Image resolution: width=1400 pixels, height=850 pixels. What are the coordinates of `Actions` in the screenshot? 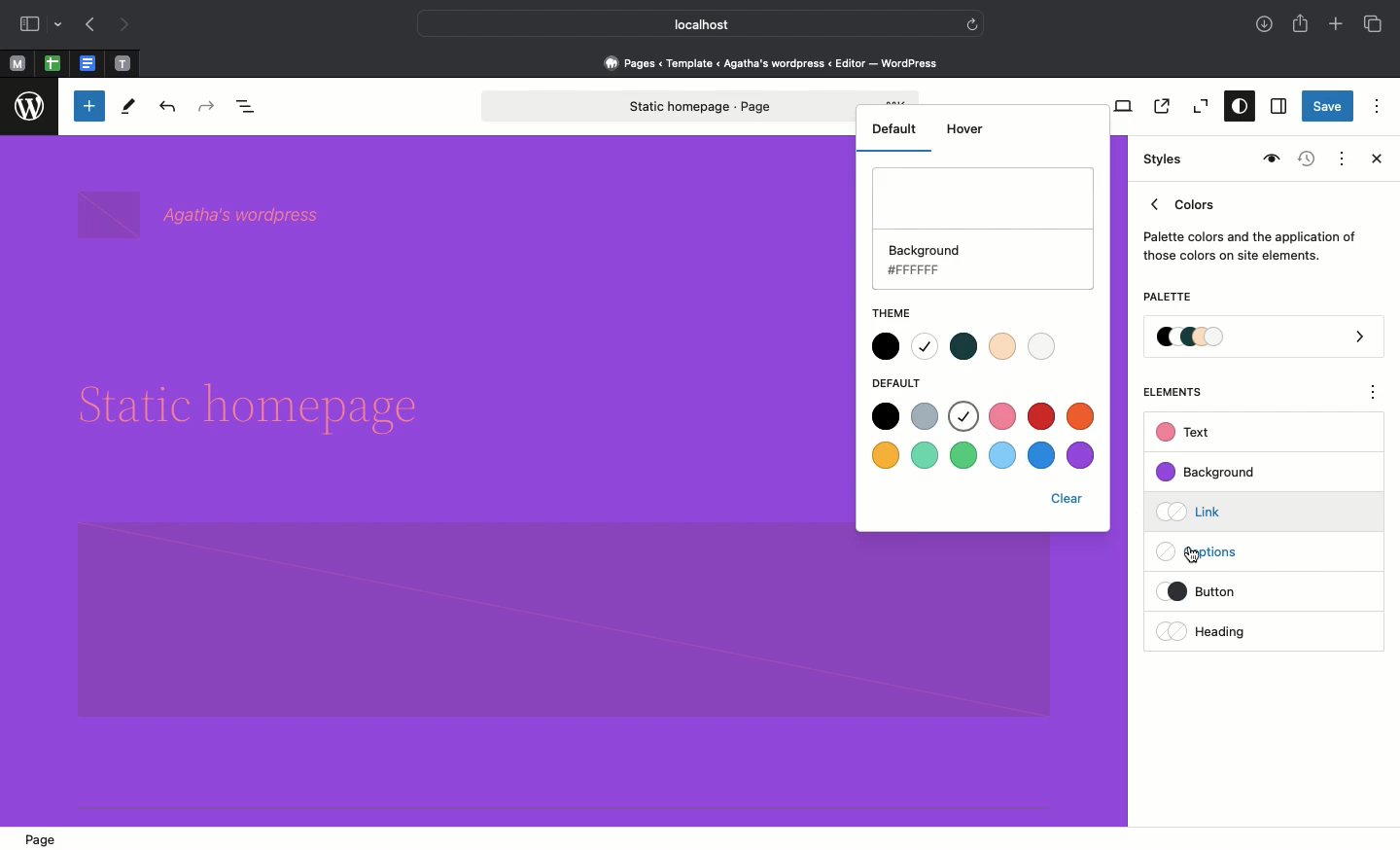 It's located at (1340, 157).